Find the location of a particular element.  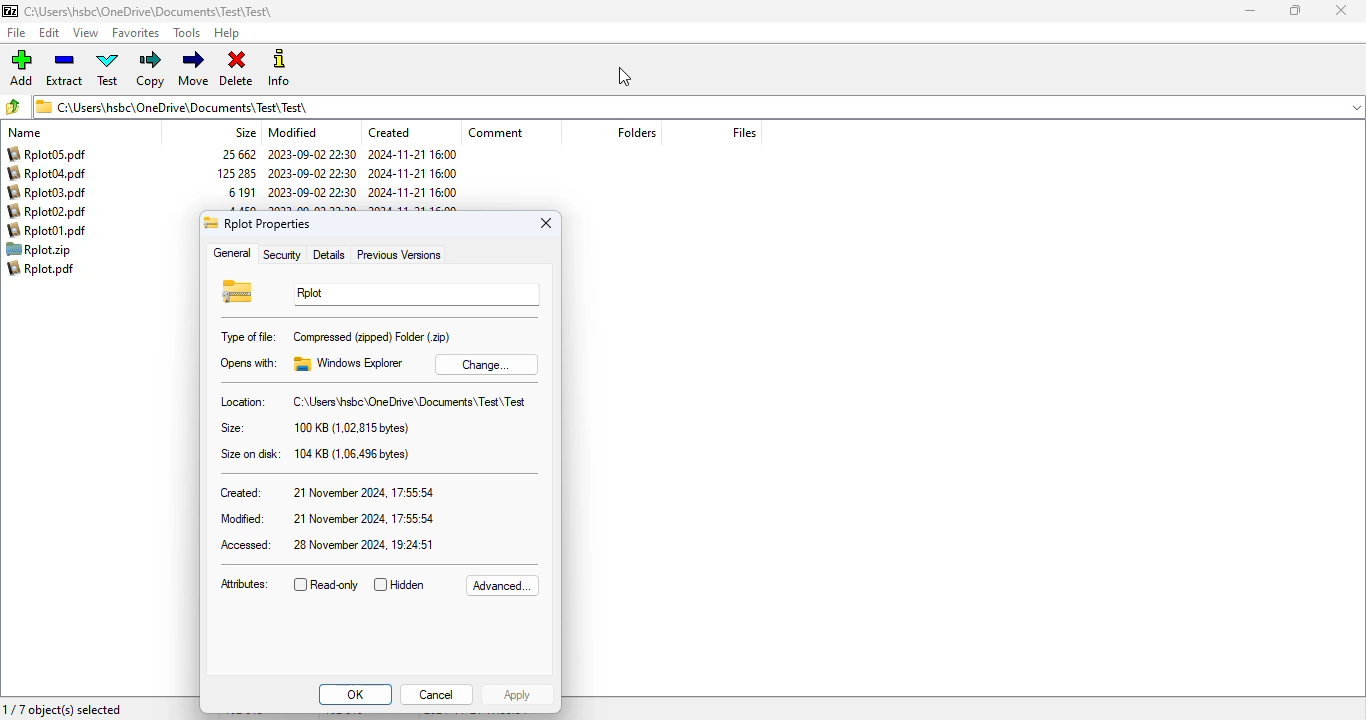

general is located at coordinates (231, 253).